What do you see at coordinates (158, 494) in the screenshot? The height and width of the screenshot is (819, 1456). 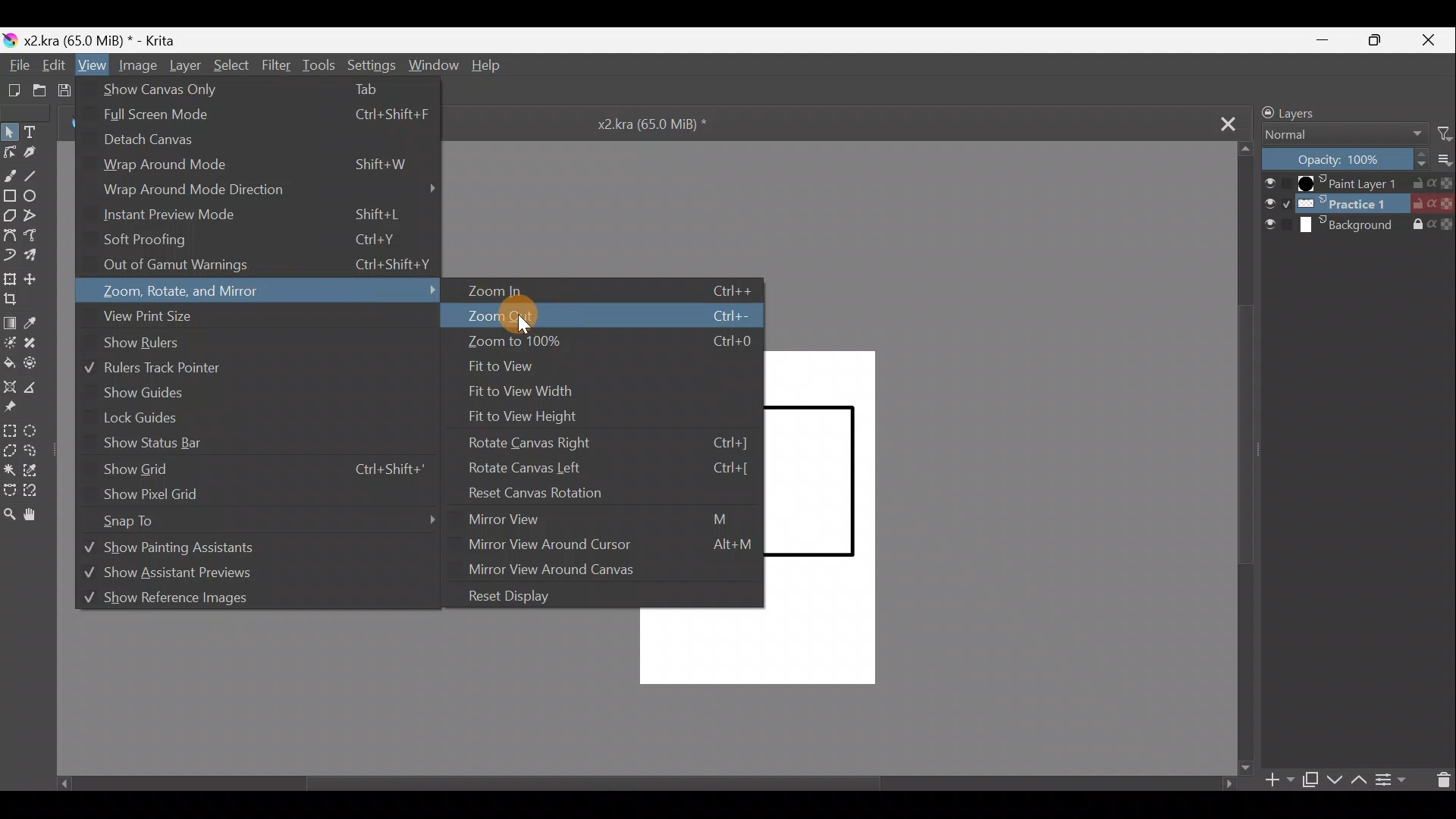 I see `Show pixel grid` at bounding box center [158, 494].